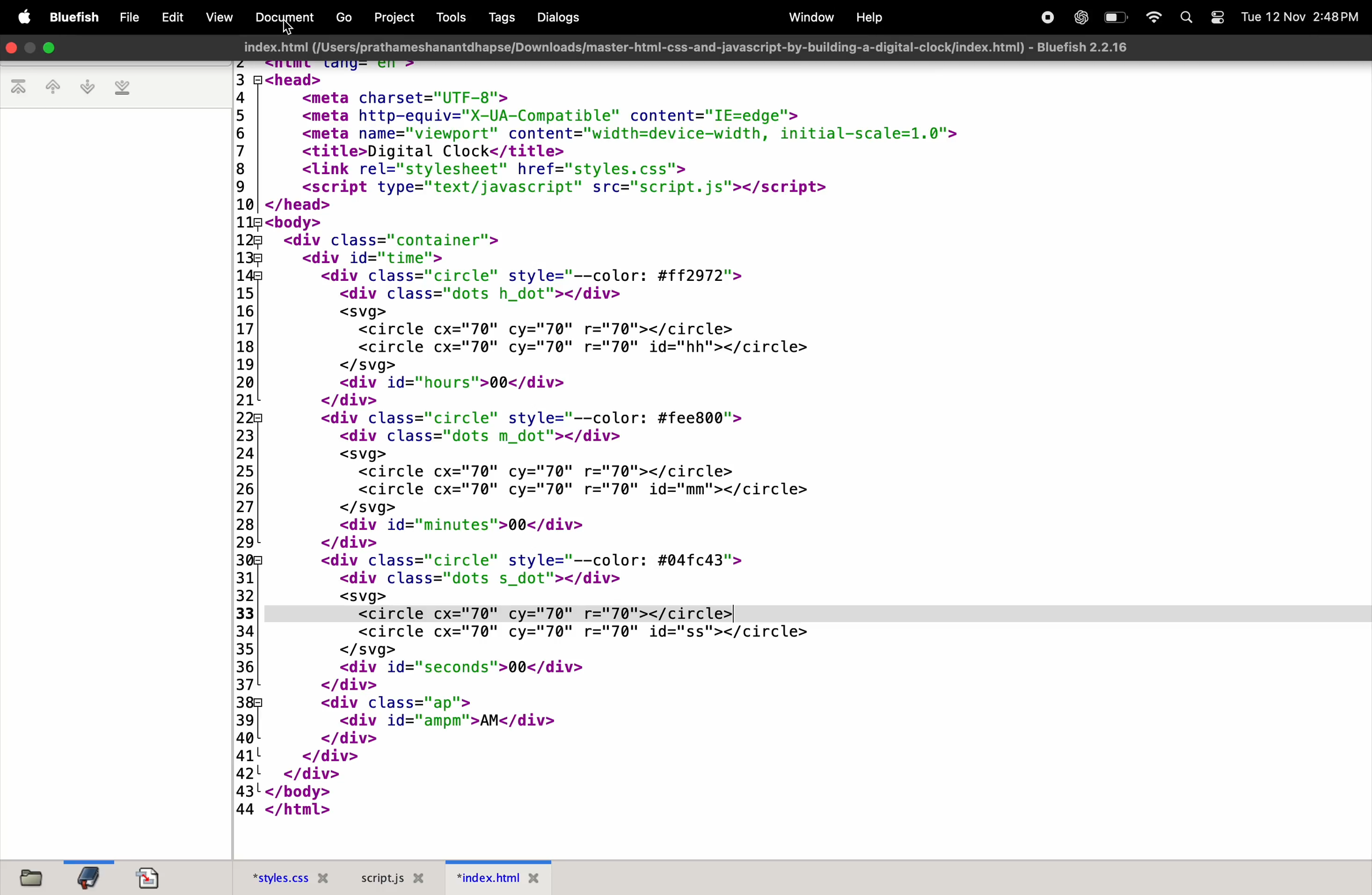 The height and width of the screenshot is (895, 1372). Describe the element at coordinates (807, 17) in the screenshot. I see `window` at that location.